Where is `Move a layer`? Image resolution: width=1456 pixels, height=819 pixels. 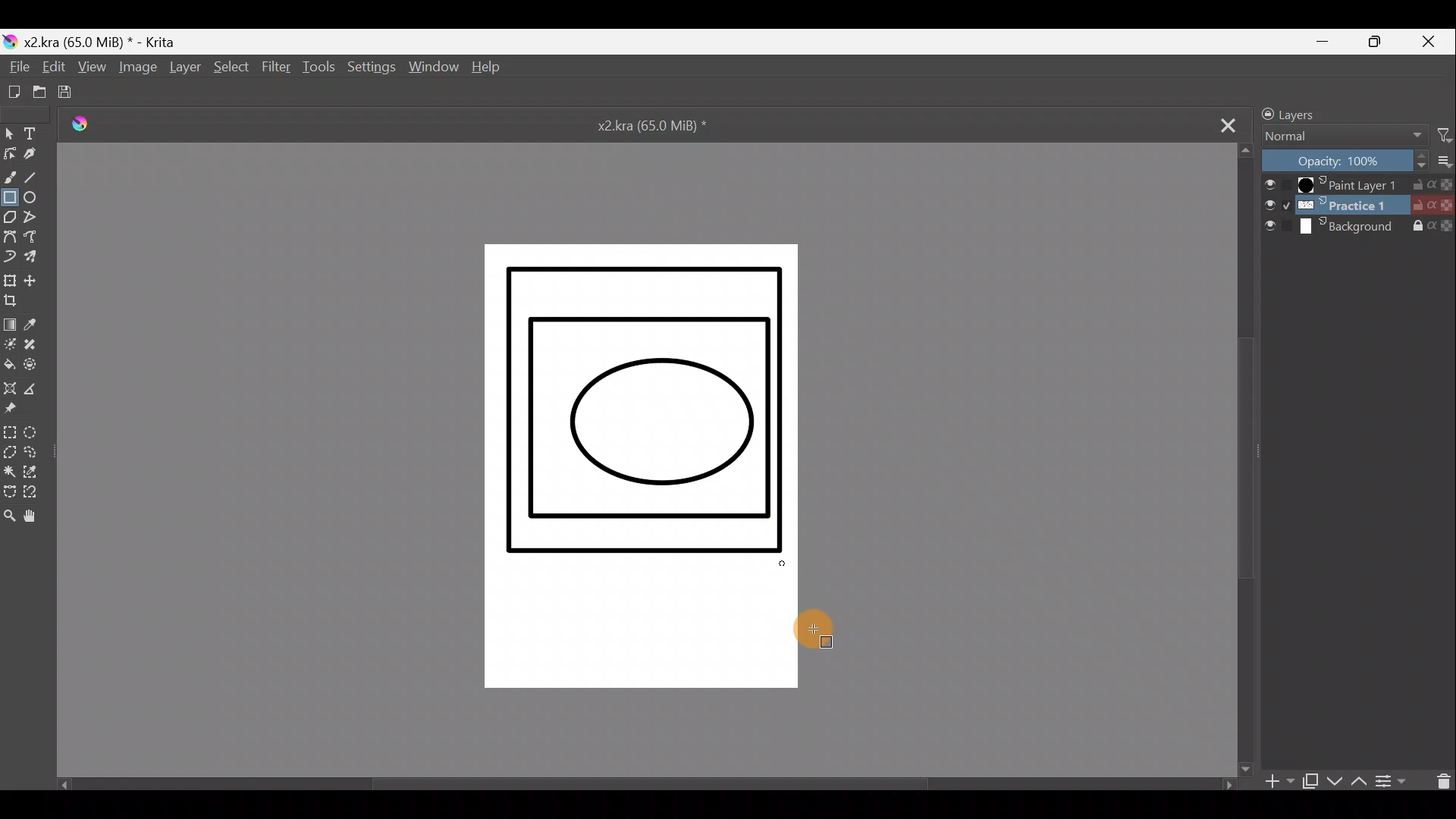
Move a layer is located at coordinates (33, 278).